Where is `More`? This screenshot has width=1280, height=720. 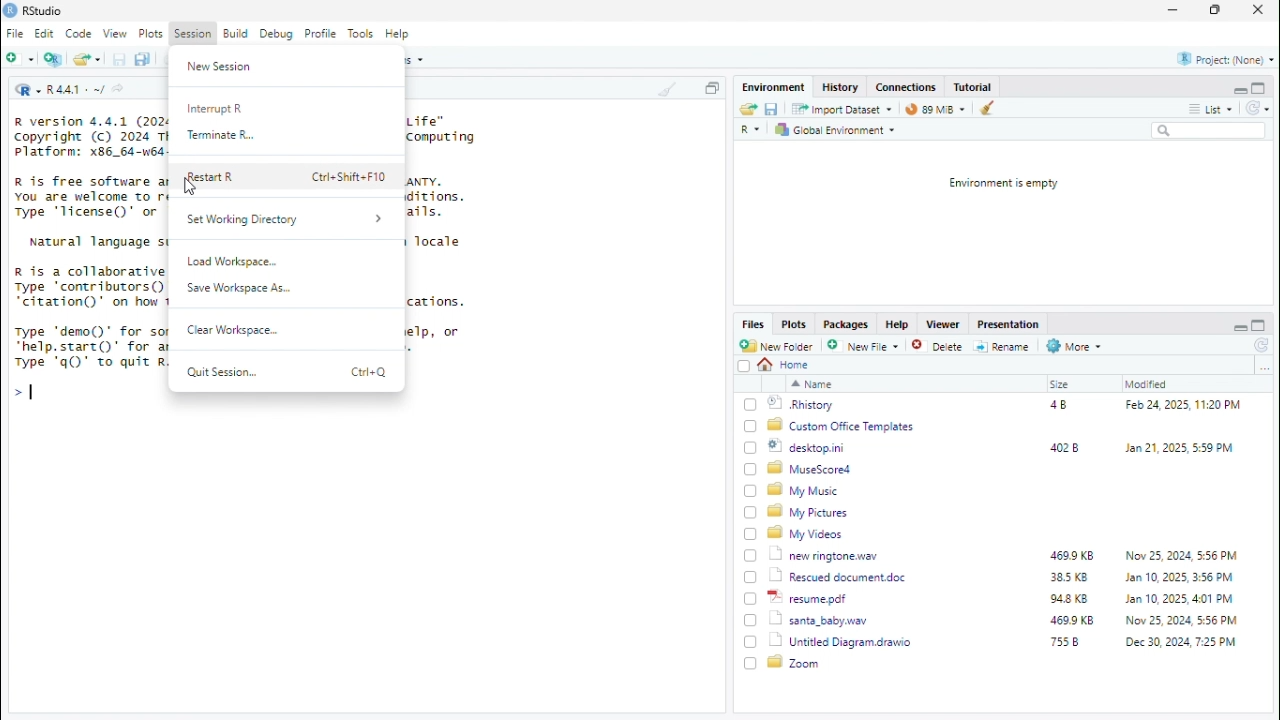 More is located at coordinates (1075, 346).